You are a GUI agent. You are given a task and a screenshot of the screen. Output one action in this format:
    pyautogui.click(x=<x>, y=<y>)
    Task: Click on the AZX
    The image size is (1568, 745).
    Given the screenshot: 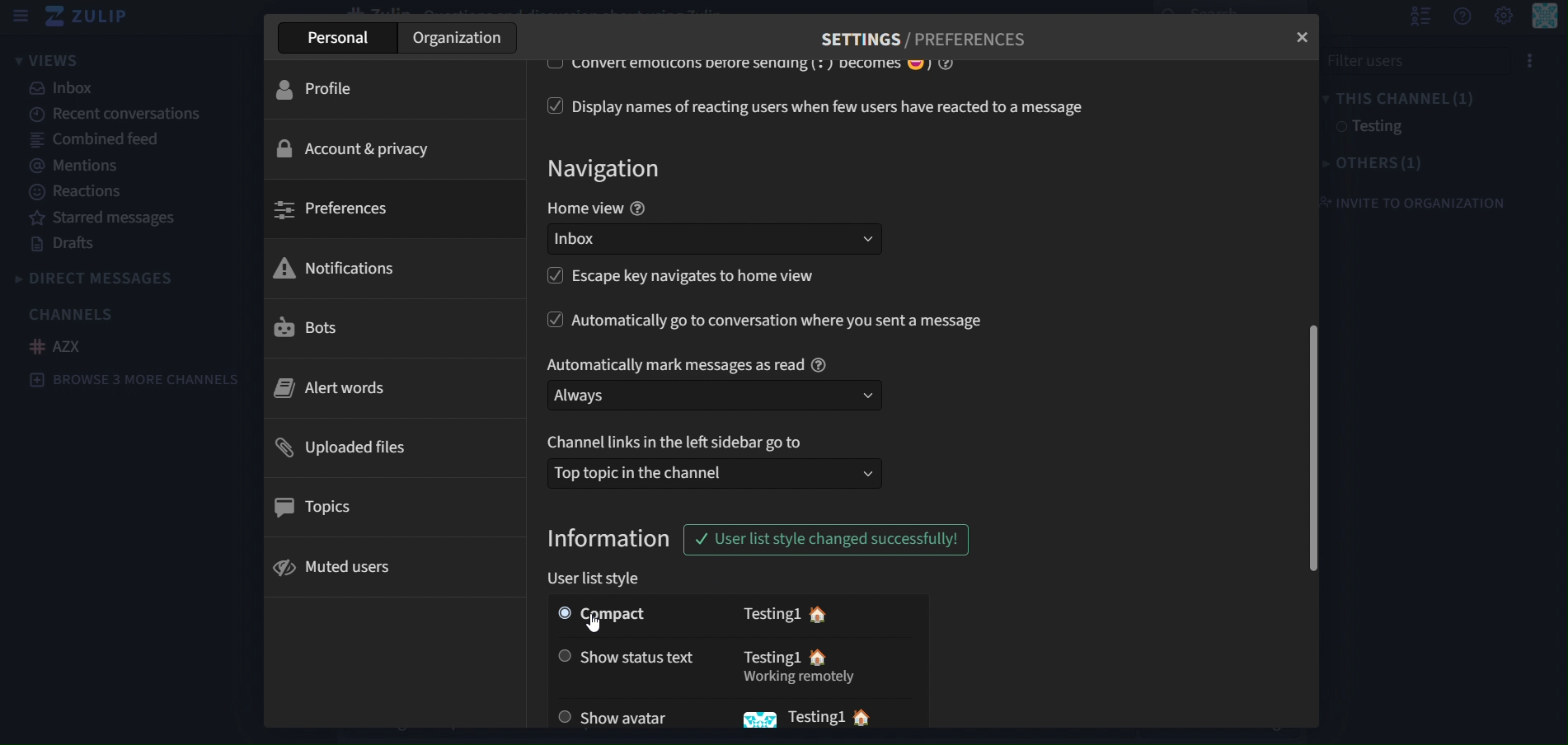 What is the action you would take?
    pyautogui.click(x=55, y=345)
    